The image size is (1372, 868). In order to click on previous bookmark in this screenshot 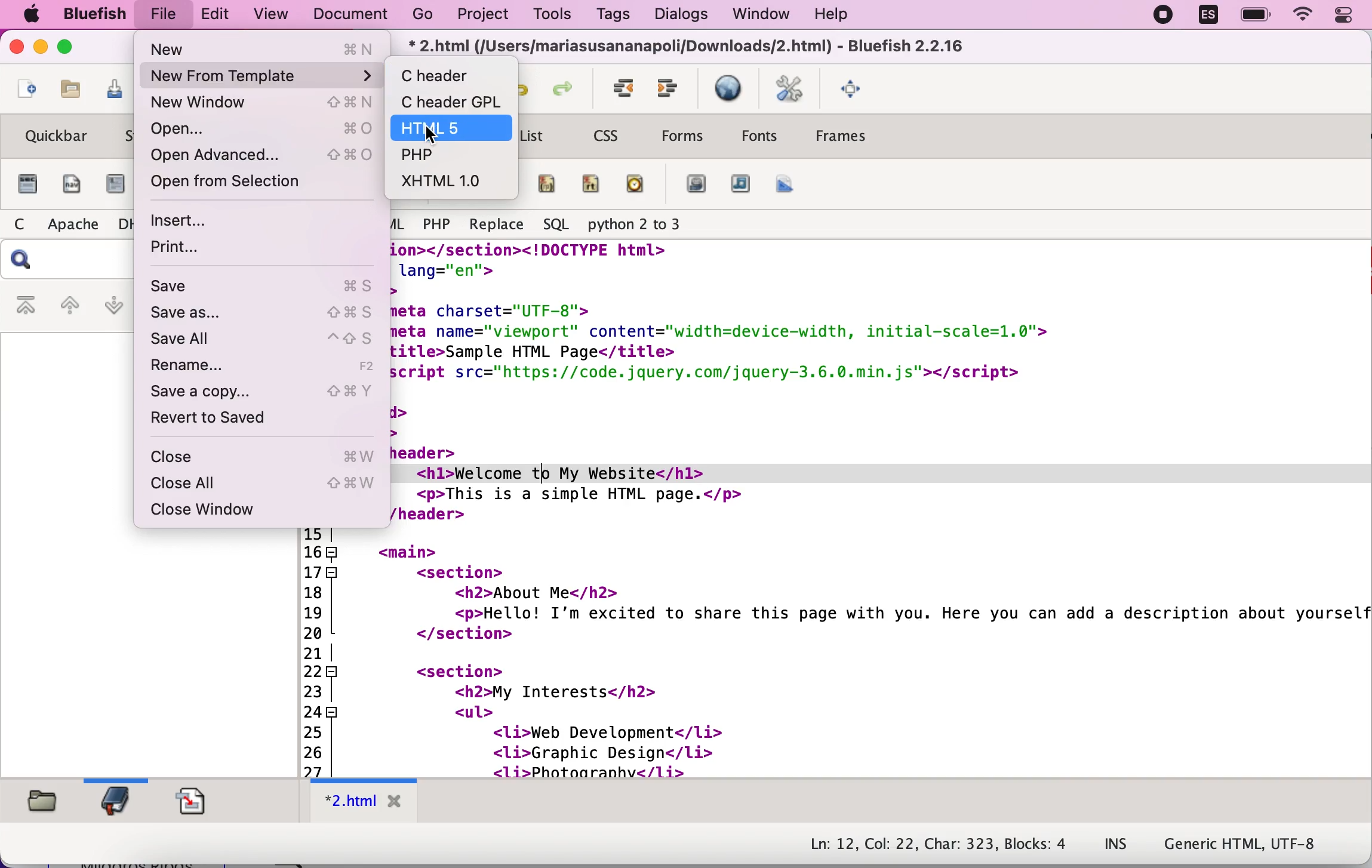, I will do `click(69, 303)`.